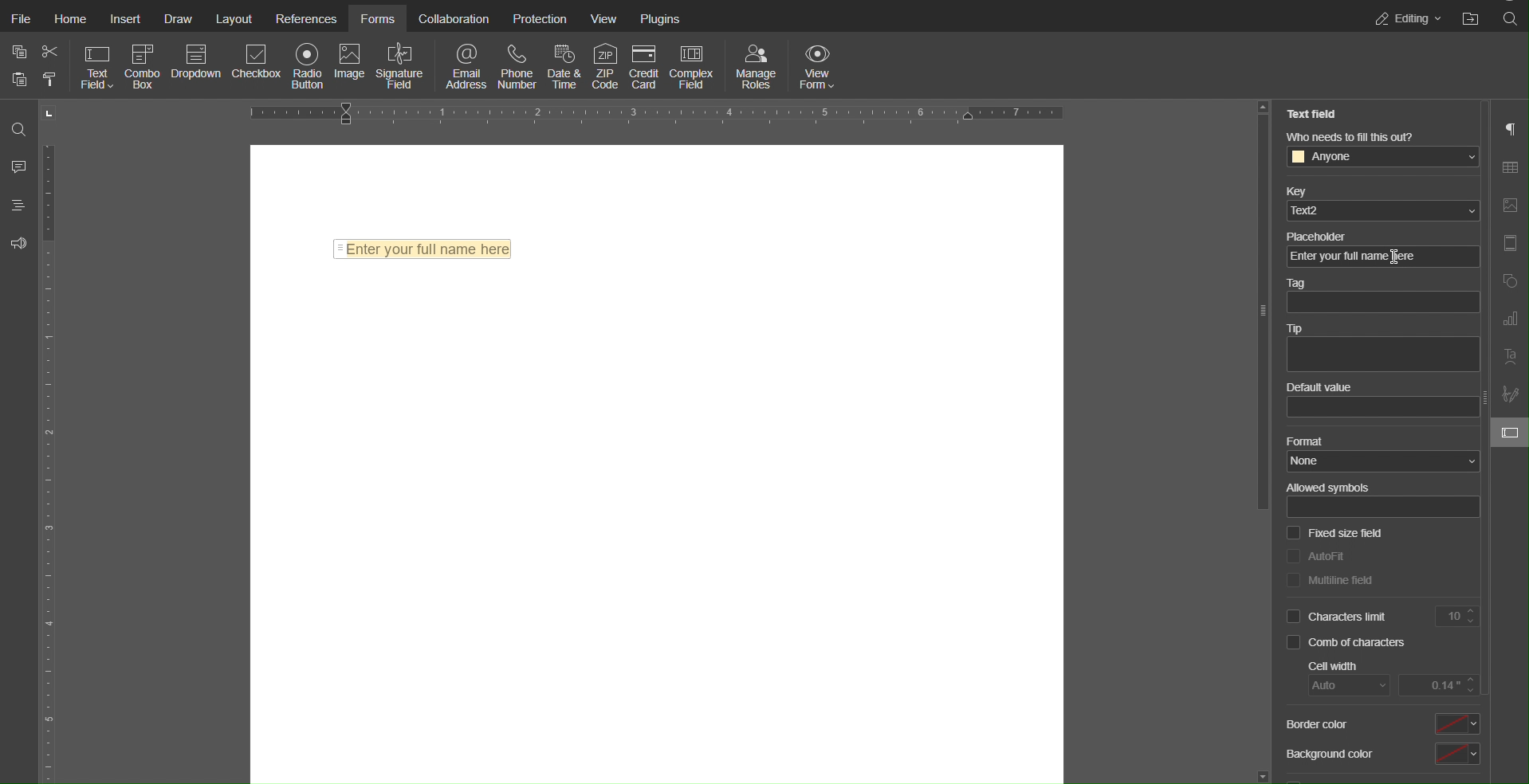  Describe the element at coordinates (757, 66) in the screenshot. I see `Manage Roles` at that location.